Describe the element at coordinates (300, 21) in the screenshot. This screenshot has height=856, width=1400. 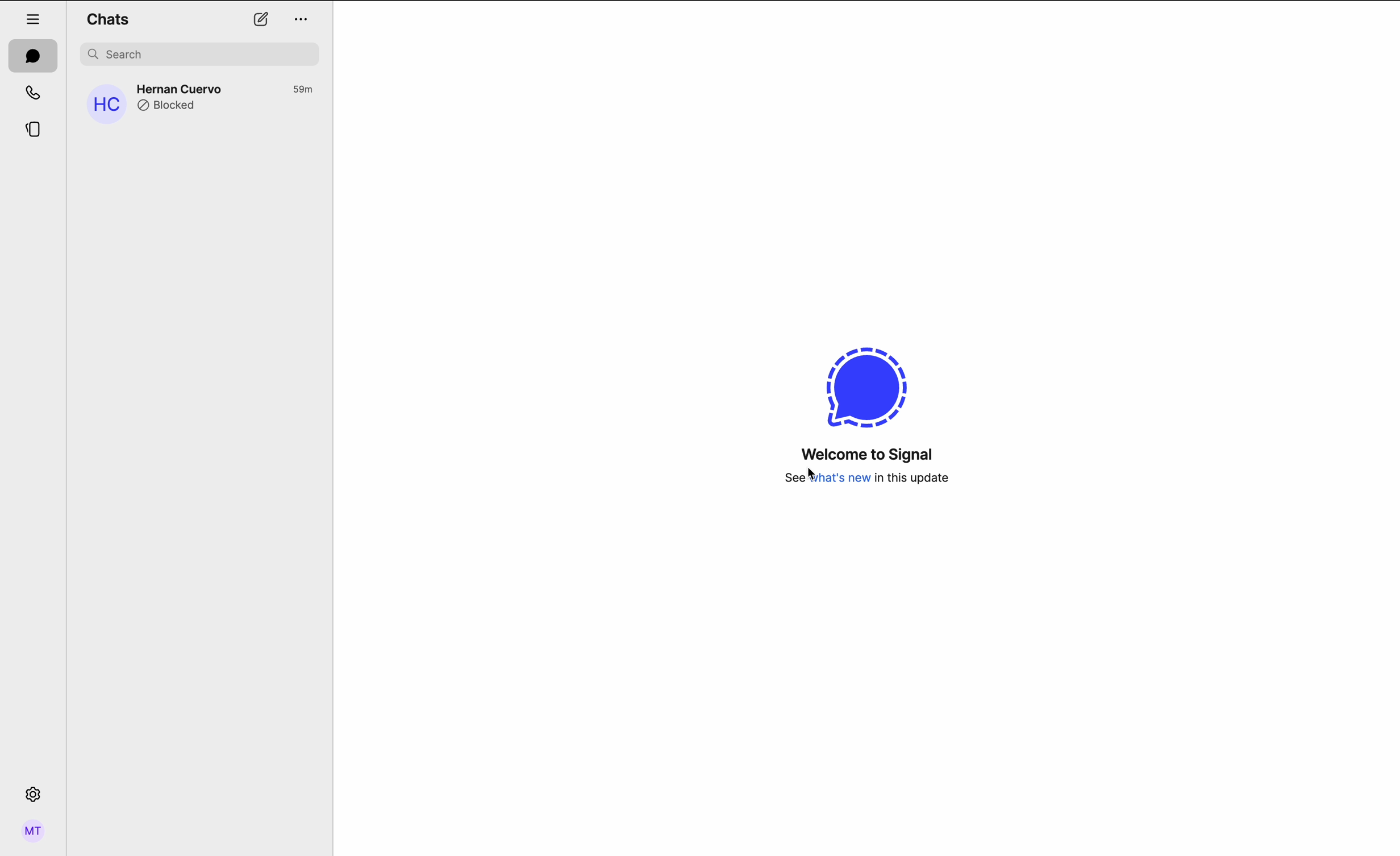
I see `options` at that location.